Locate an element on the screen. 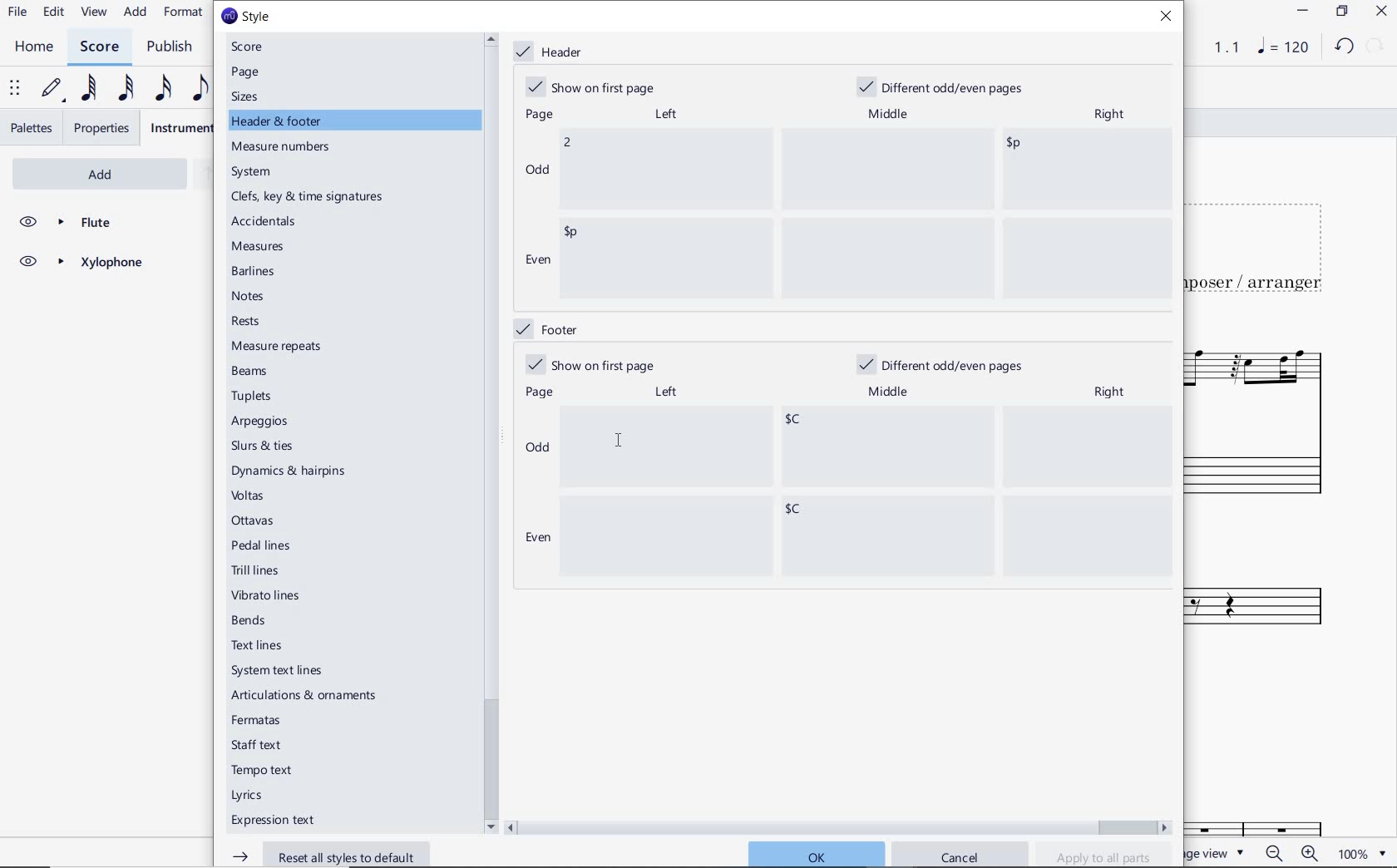 Image resolution: width=1397 pixels, height=868 pixels. right is located at coordinates (1108, 116).